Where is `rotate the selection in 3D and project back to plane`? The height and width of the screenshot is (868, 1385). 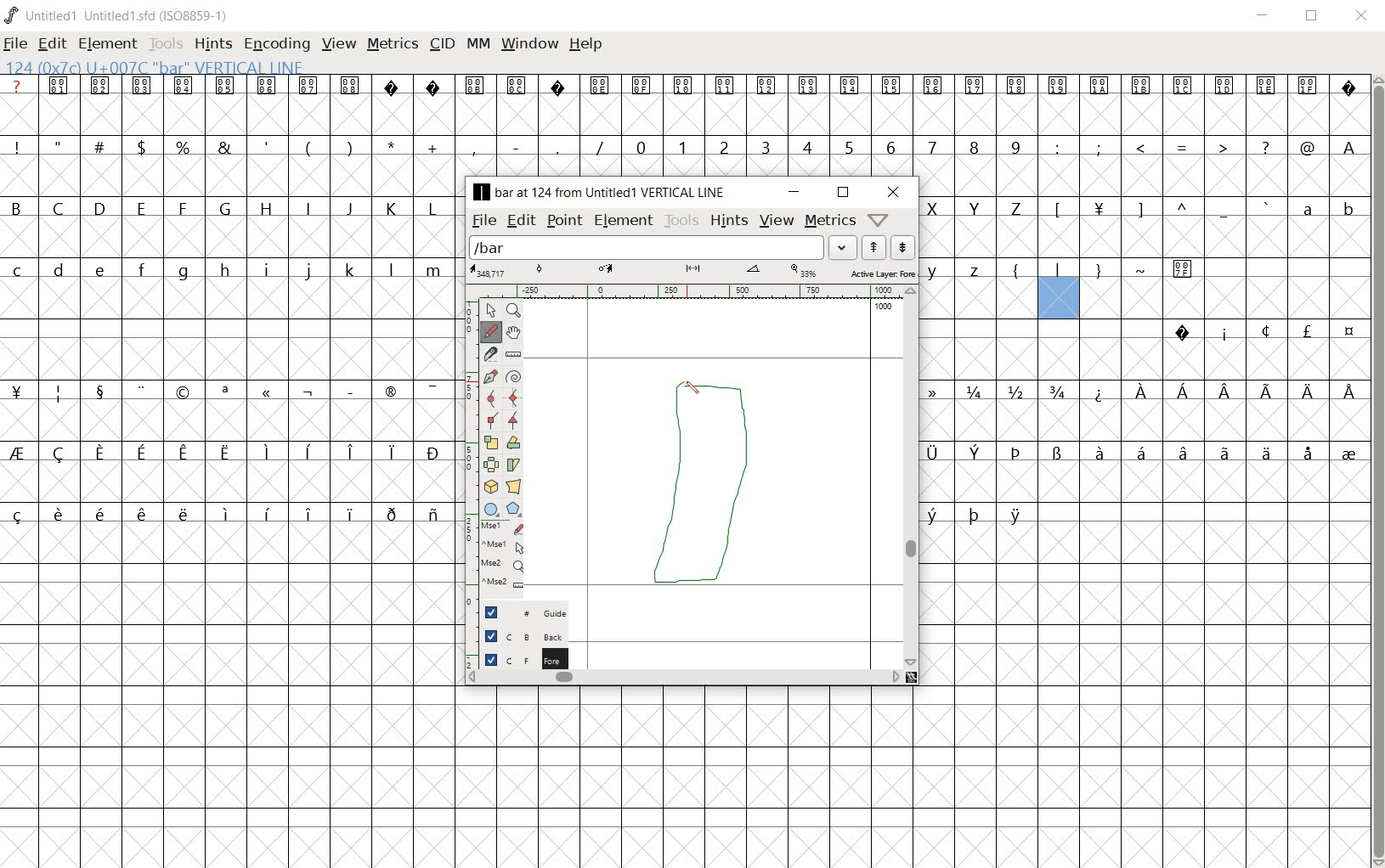 rotate the selection in 3D and project back to plane is located at coordinates (489, 486).